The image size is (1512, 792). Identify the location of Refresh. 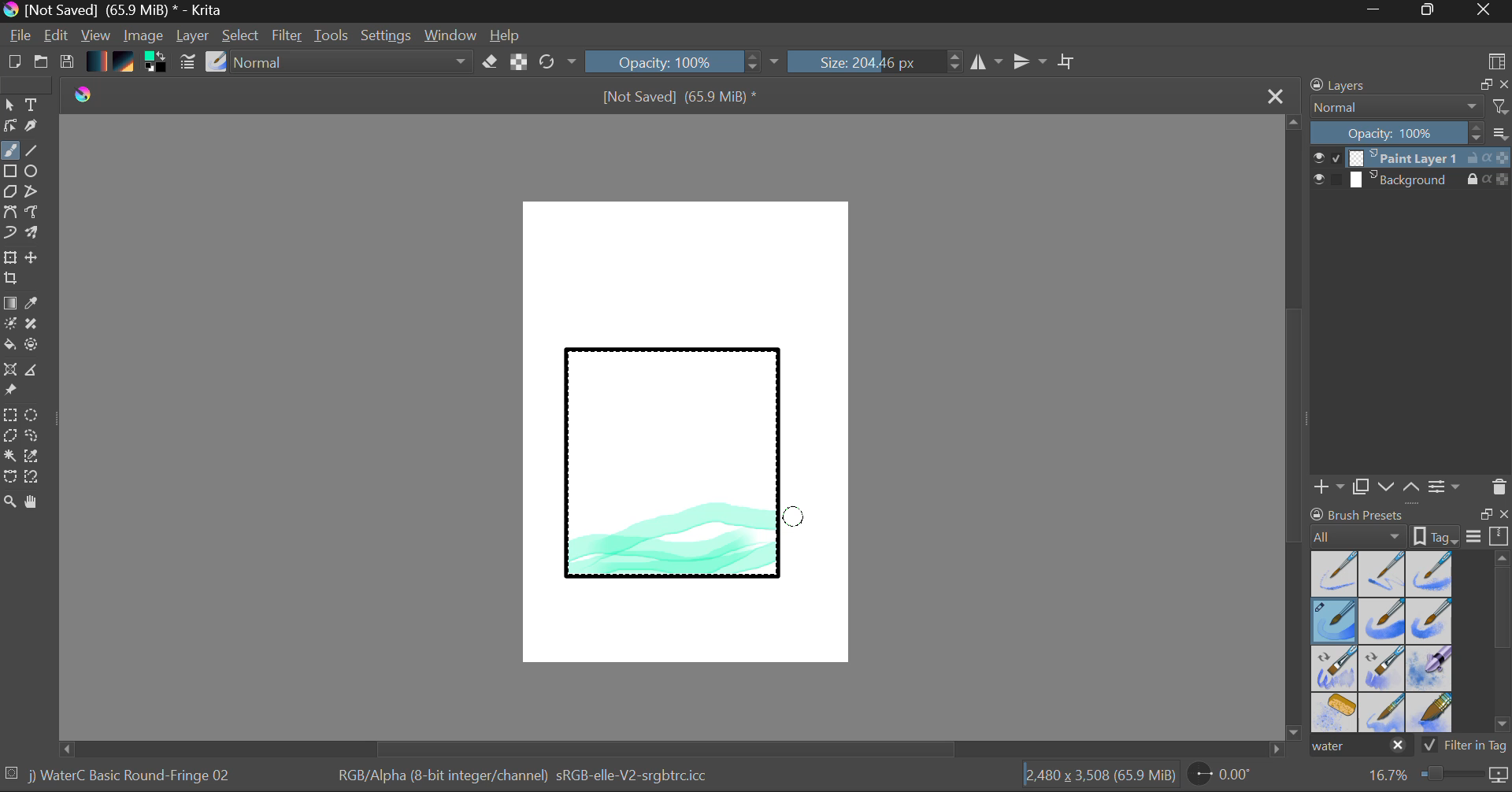
(558, 61).